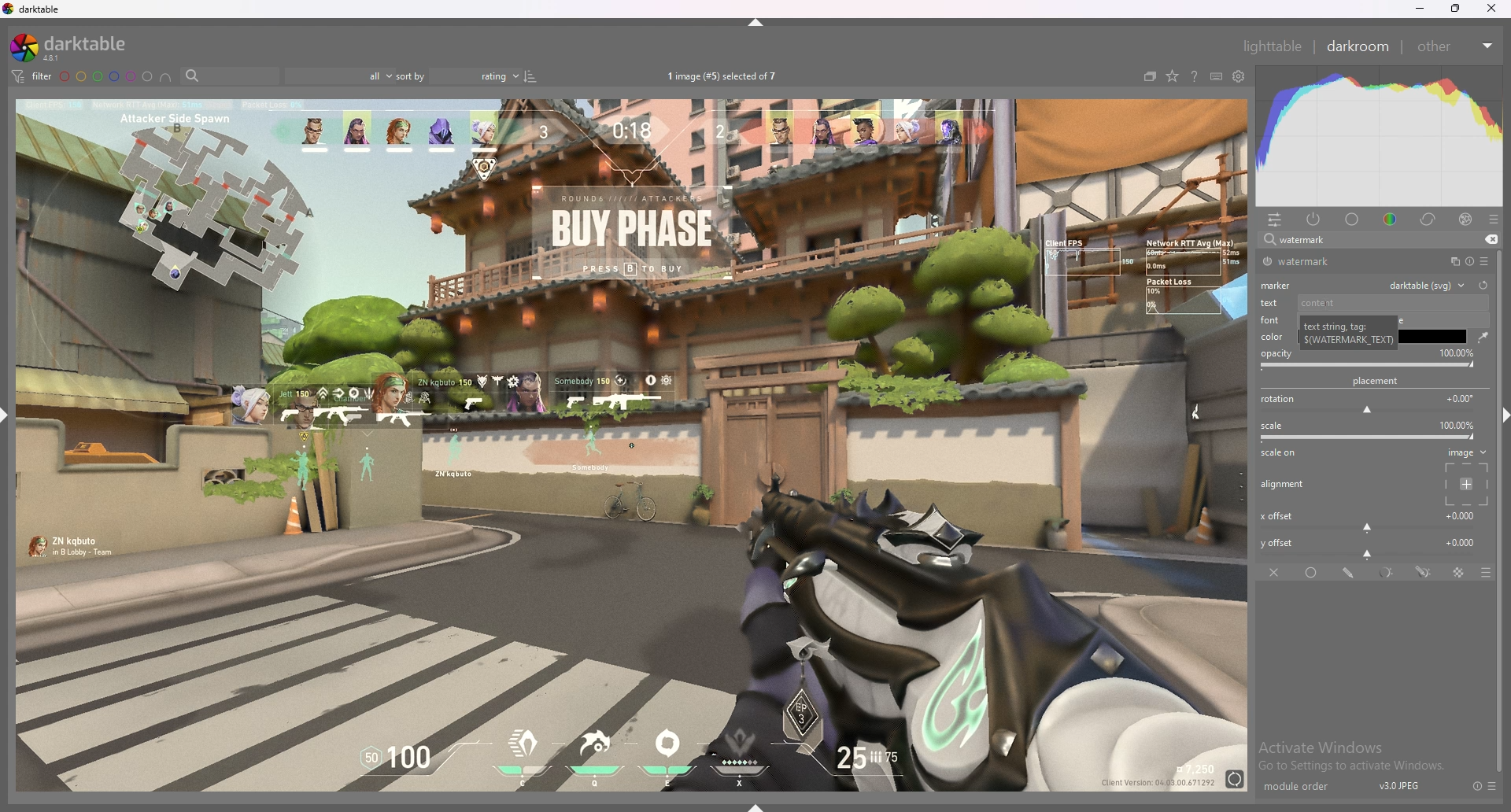 The height and width of the screenshot is (812, 1511). What do you see at coordinates (1283, 454) in the screenshot?
I see `scale on` at bounding box center [1283, 454].